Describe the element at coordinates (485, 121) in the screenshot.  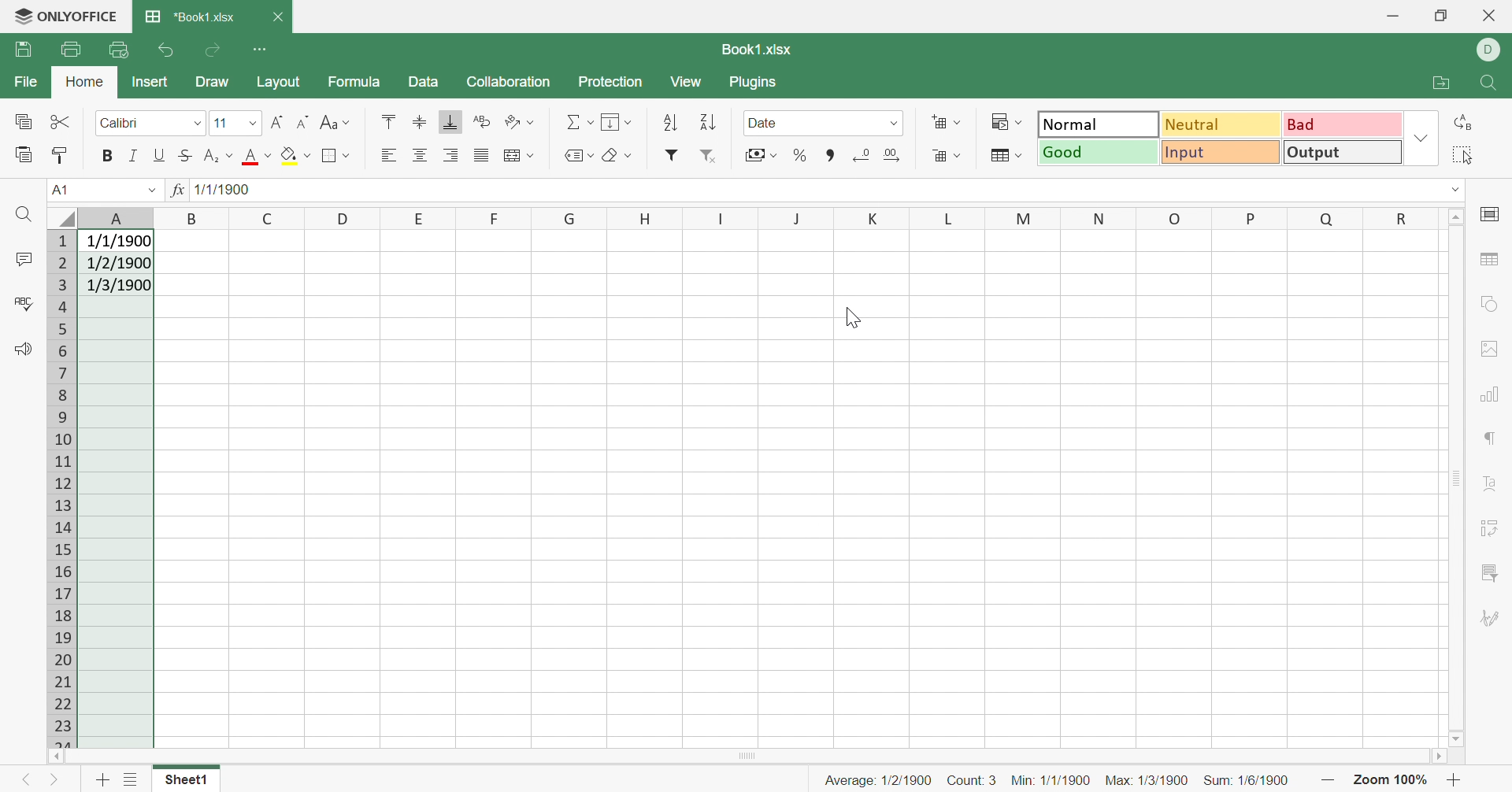
I see `Wrap text` at that location.